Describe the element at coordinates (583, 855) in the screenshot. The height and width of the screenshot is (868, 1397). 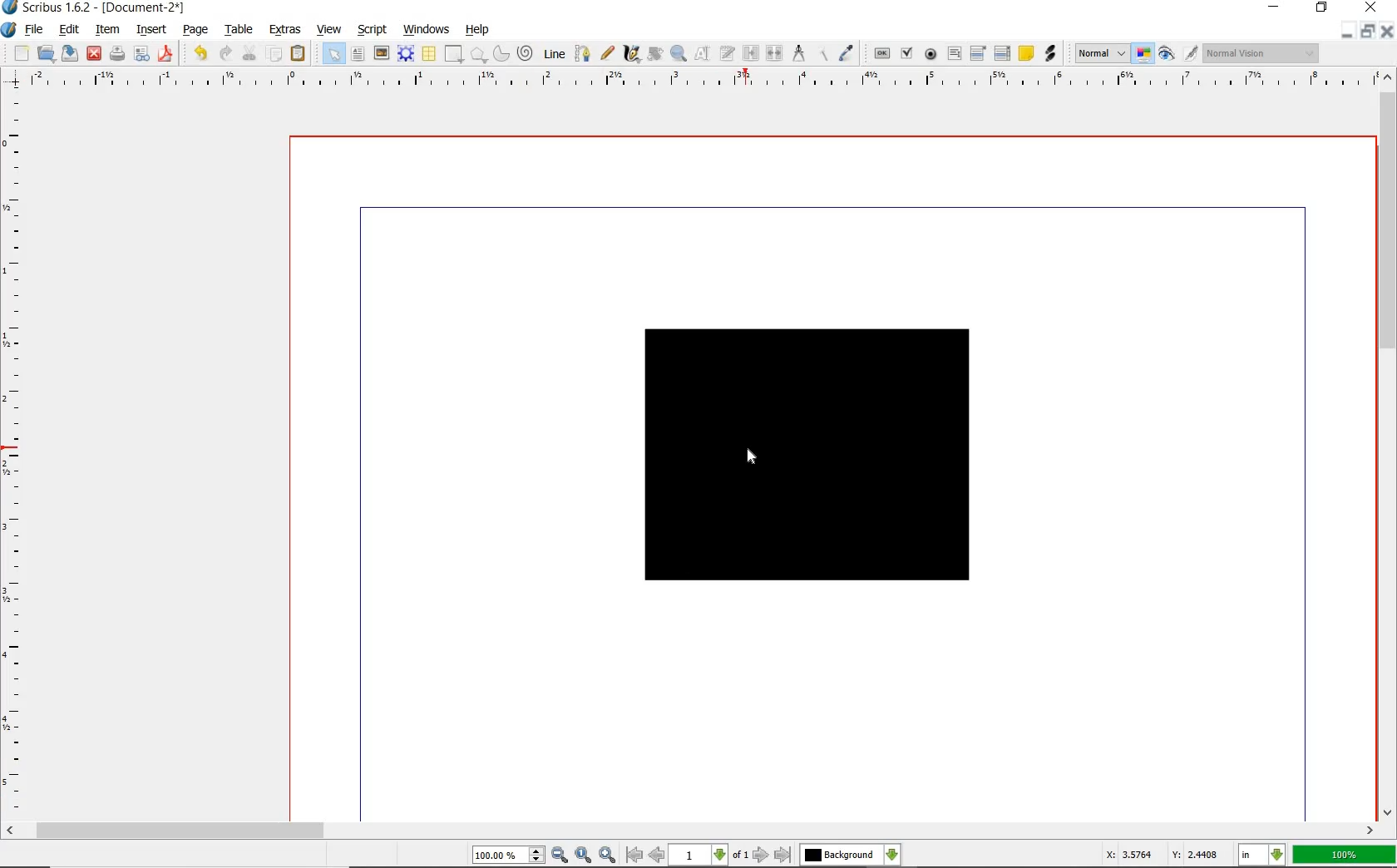
I see `zoom to` at that location.